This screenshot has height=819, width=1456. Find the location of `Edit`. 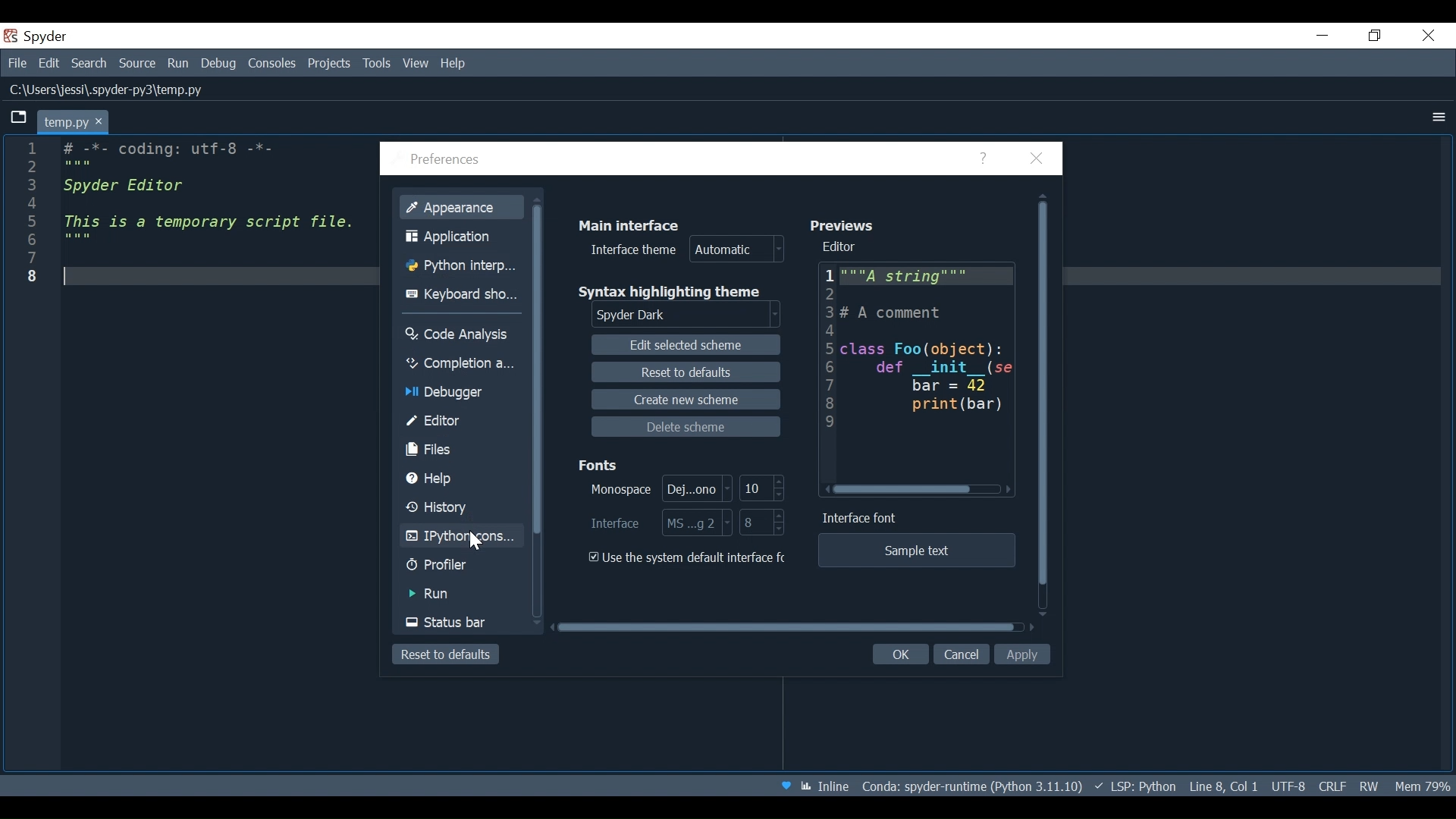

Edit is located at coordinates (45, 63).